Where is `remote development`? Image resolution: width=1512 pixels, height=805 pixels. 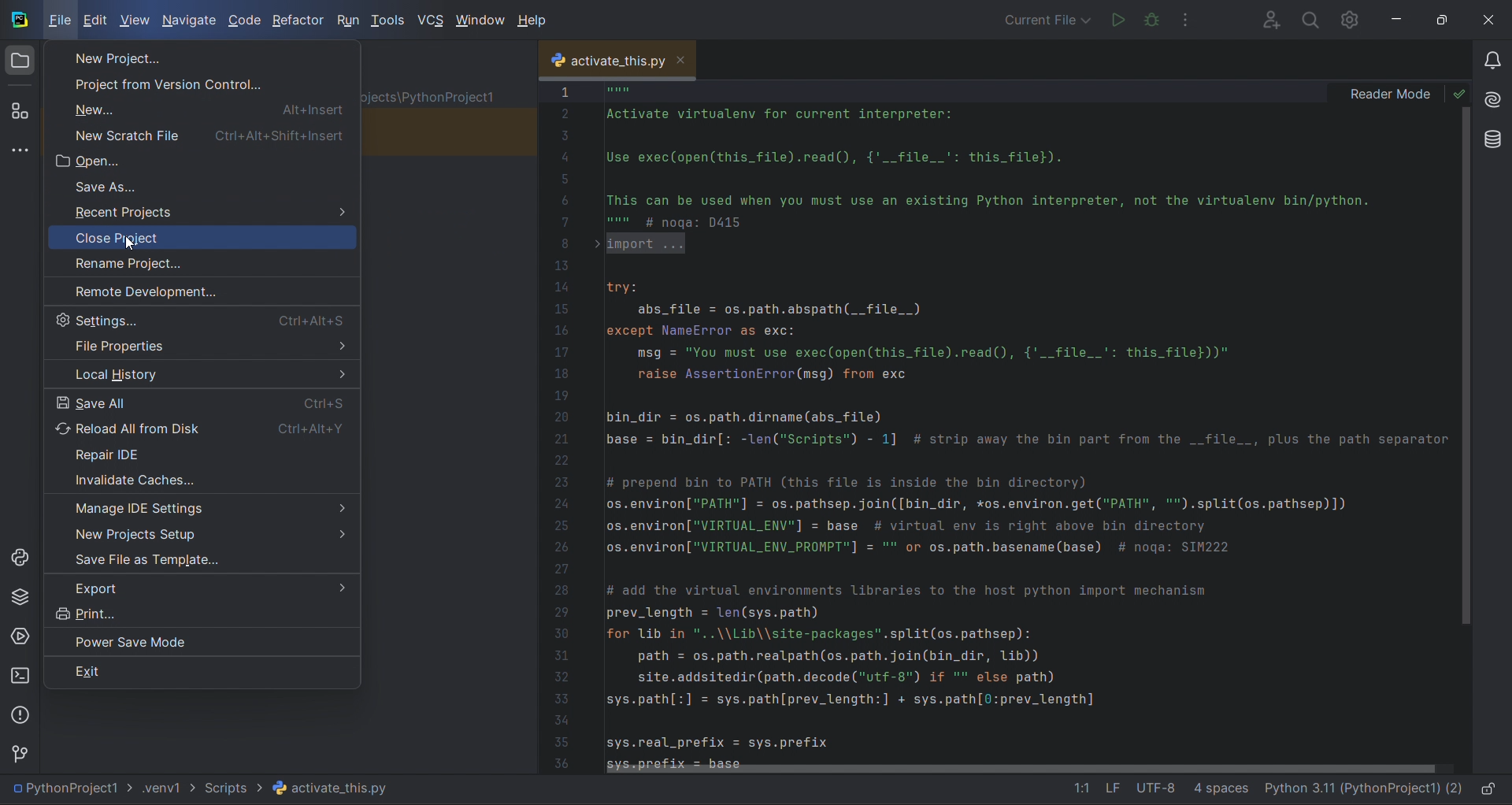 remote development is located at coordinates (197, 289).